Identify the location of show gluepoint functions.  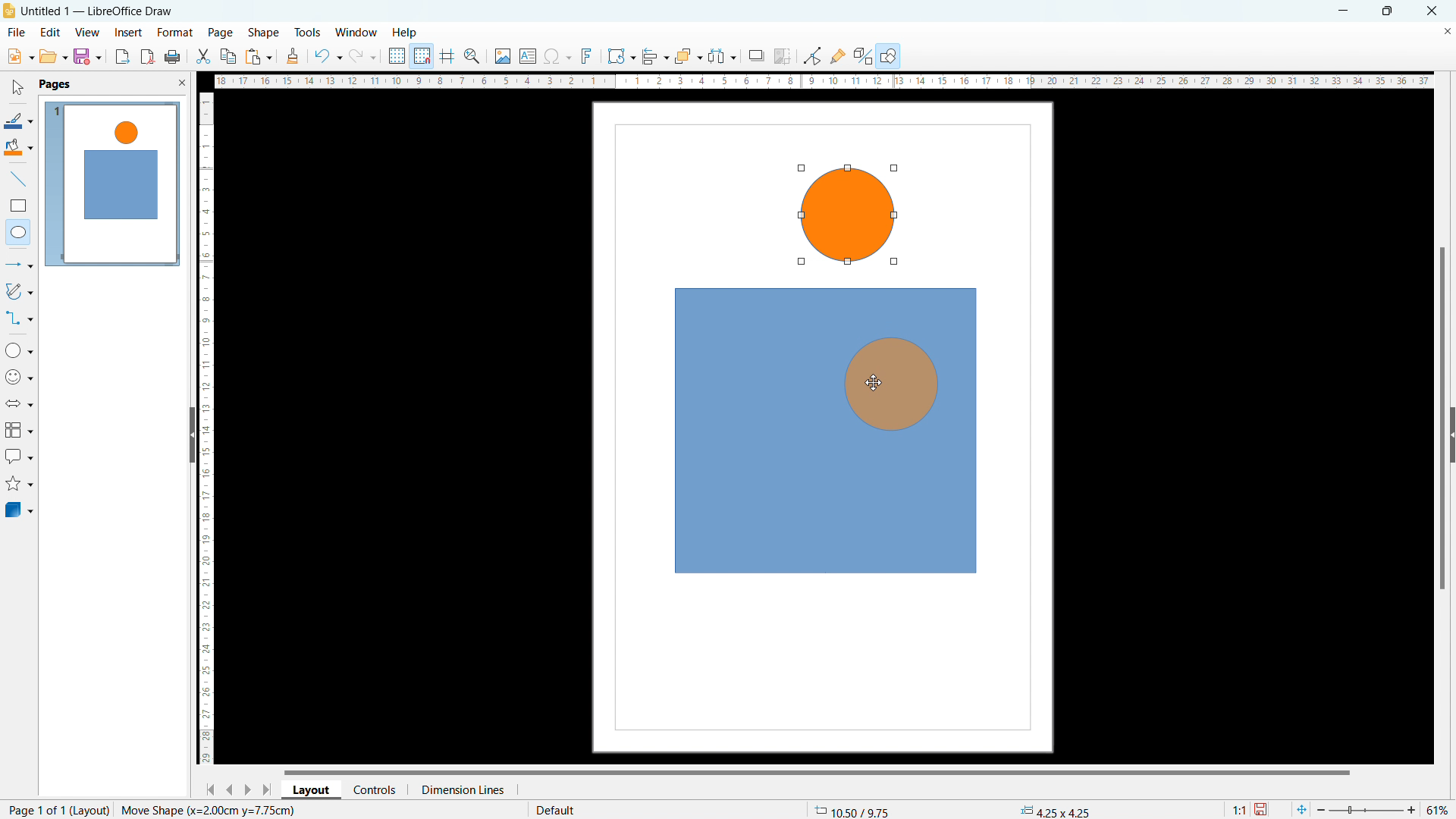
(838, 55).